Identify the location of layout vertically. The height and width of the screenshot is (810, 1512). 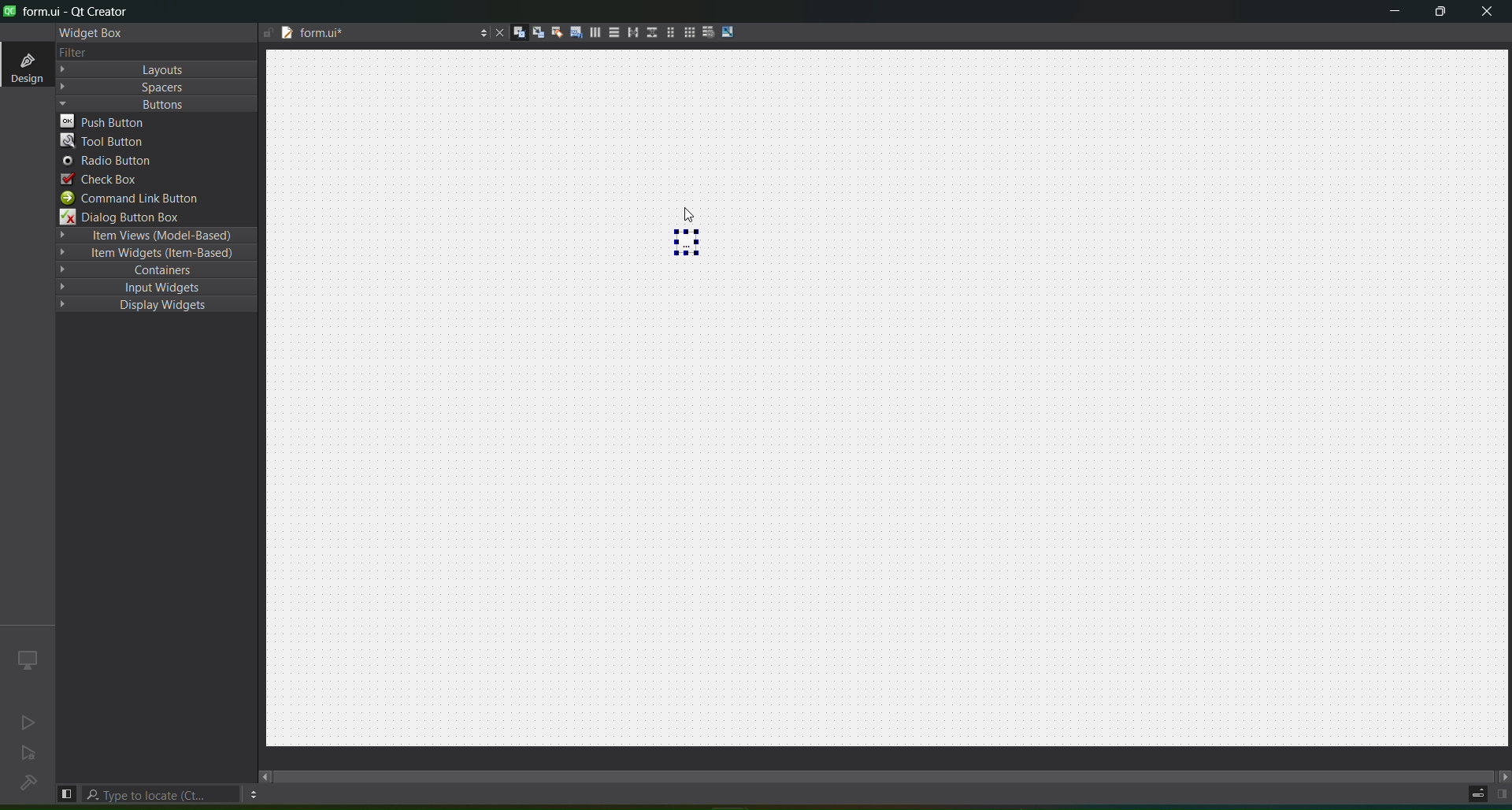
(612, 34).